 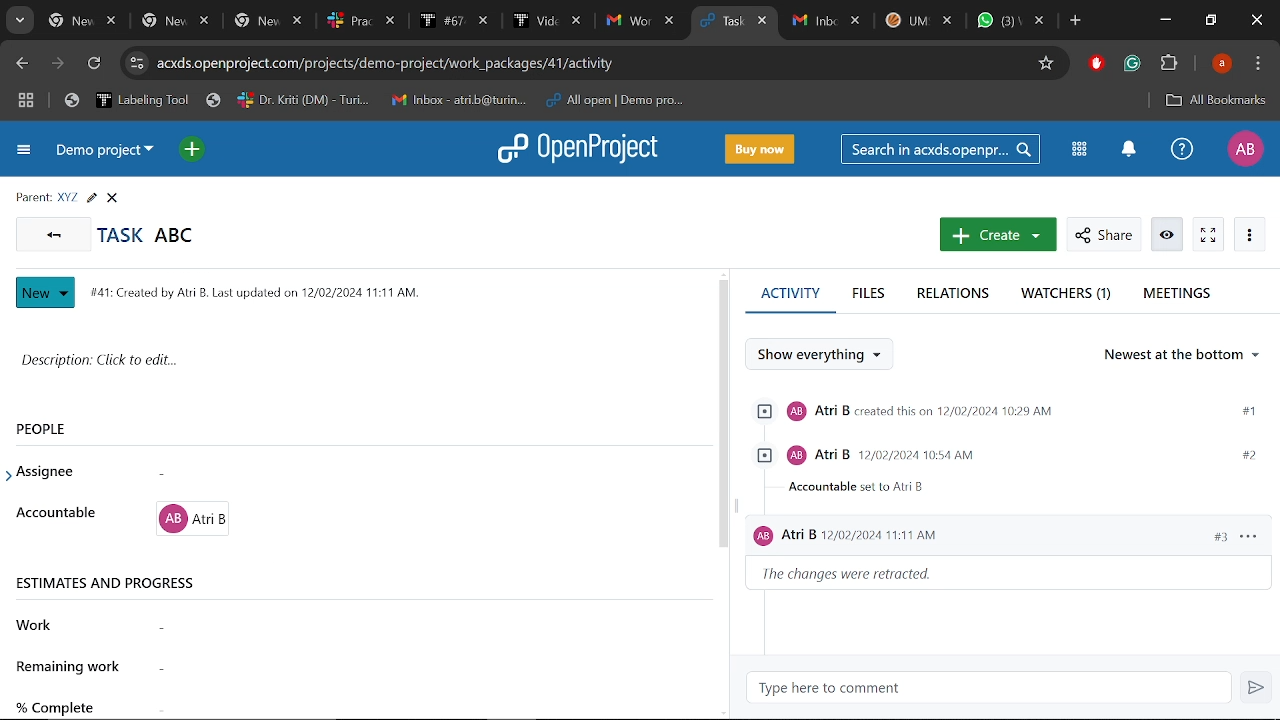 What do you see at coordinates (46, 293) in the screenshot?
I see `New` at bounding box center [46, 293].